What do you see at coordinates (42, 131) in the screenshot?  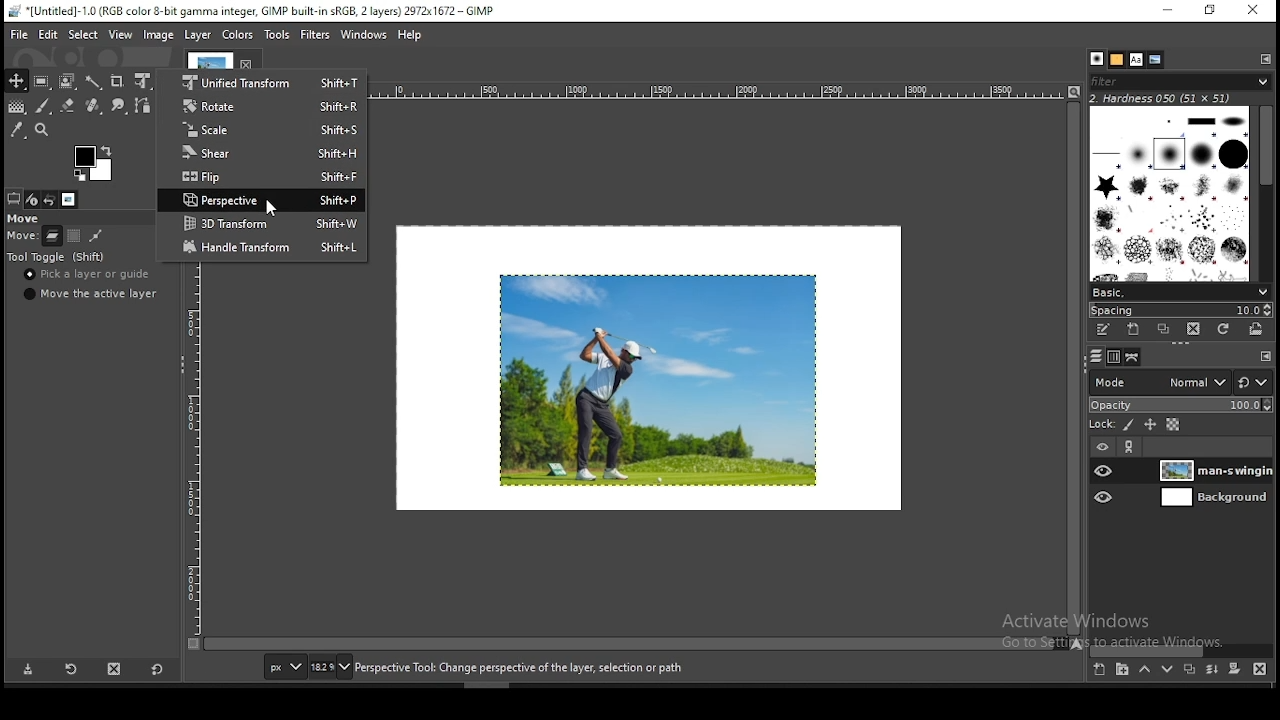 I see `zoom tool` at bounding box center [42, 131].